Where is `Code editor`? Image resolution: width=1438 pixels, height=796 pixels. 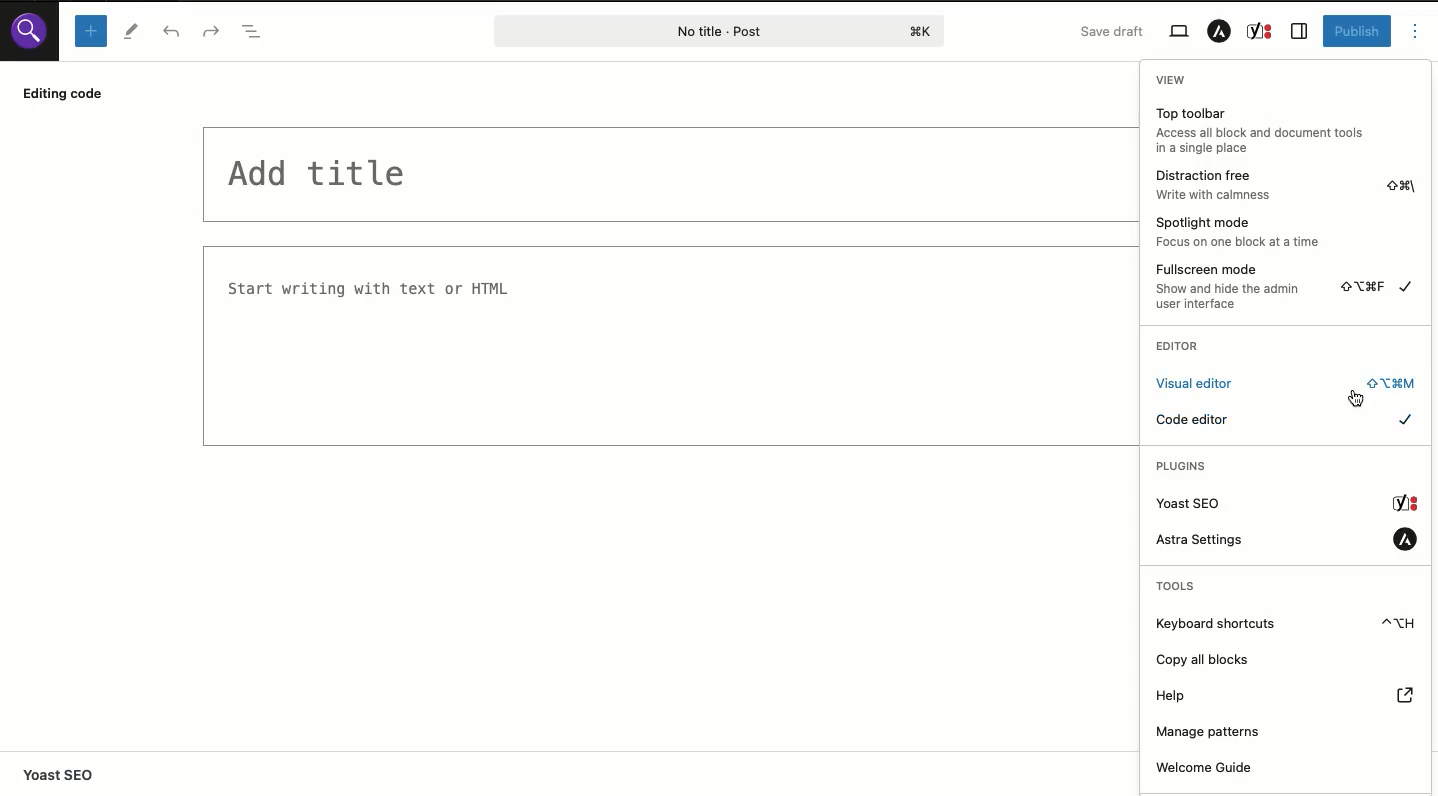
Code editor is located at coordinates (1285, 419).